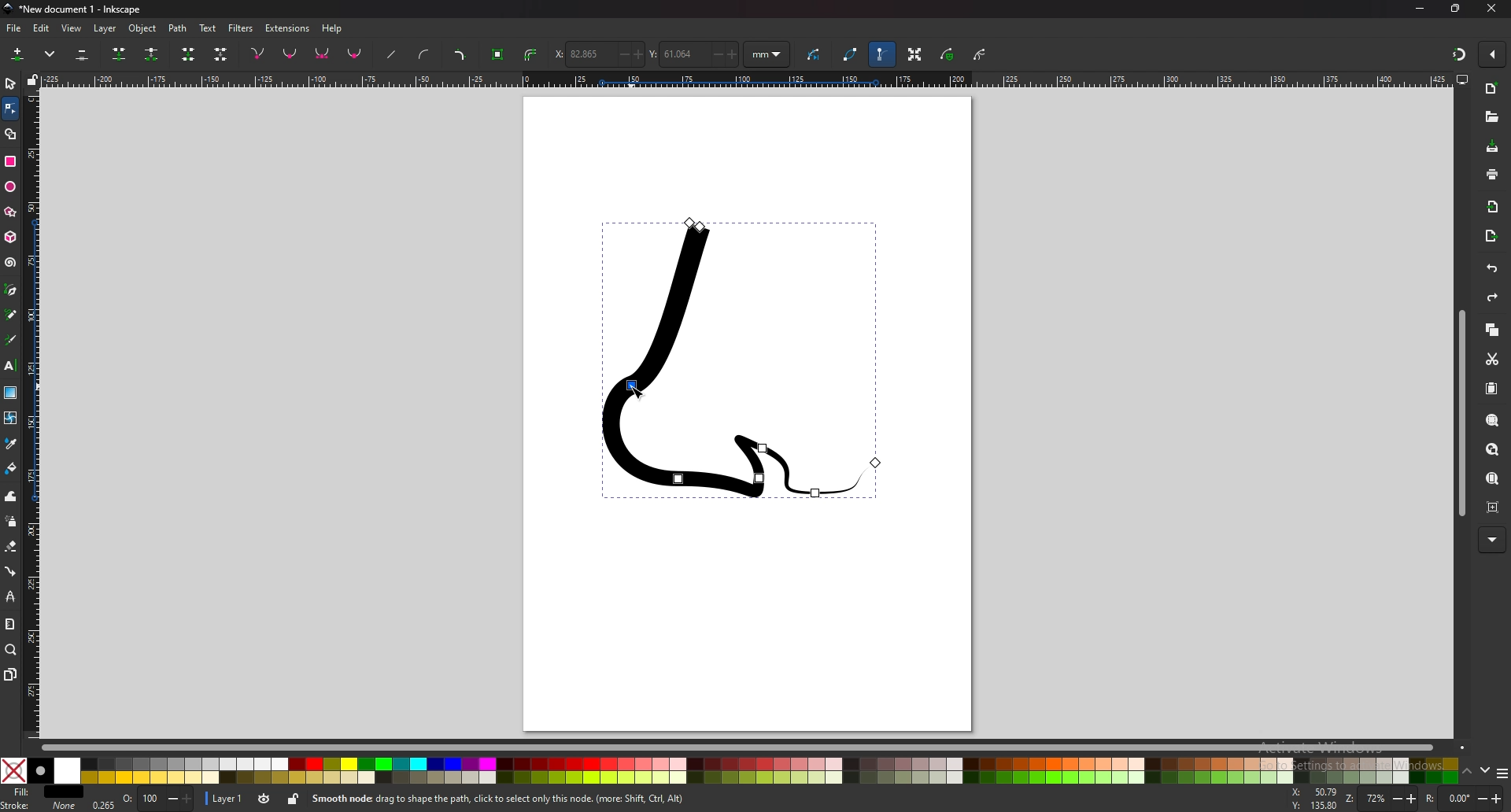 The height and width of the screenshot is (812, 1511). I want to click on print, so click(1492, 173).